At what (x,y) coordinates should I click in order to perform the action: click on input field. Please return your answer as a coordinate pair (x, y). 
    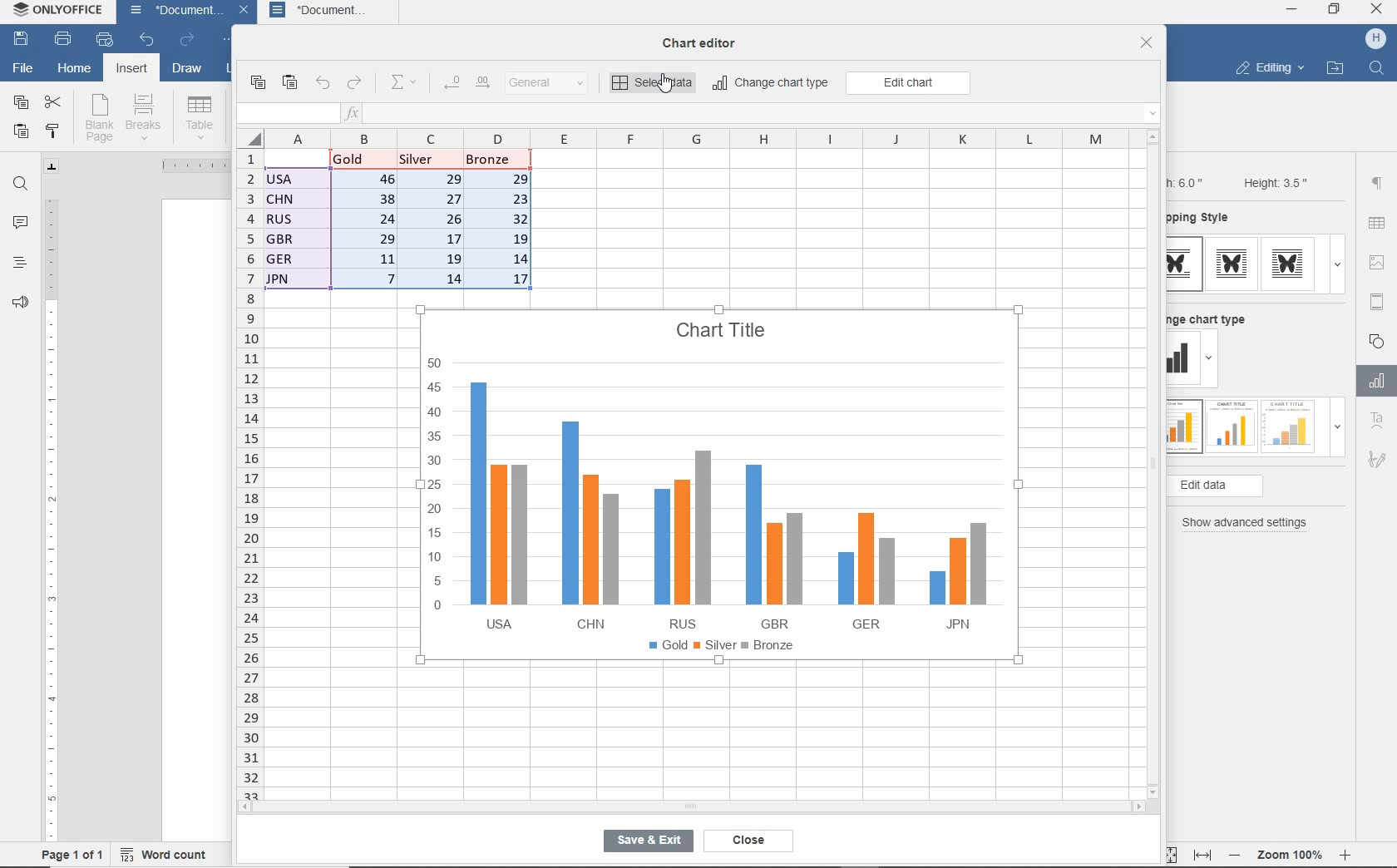
    Looking at the image, I should click on (286, 114).